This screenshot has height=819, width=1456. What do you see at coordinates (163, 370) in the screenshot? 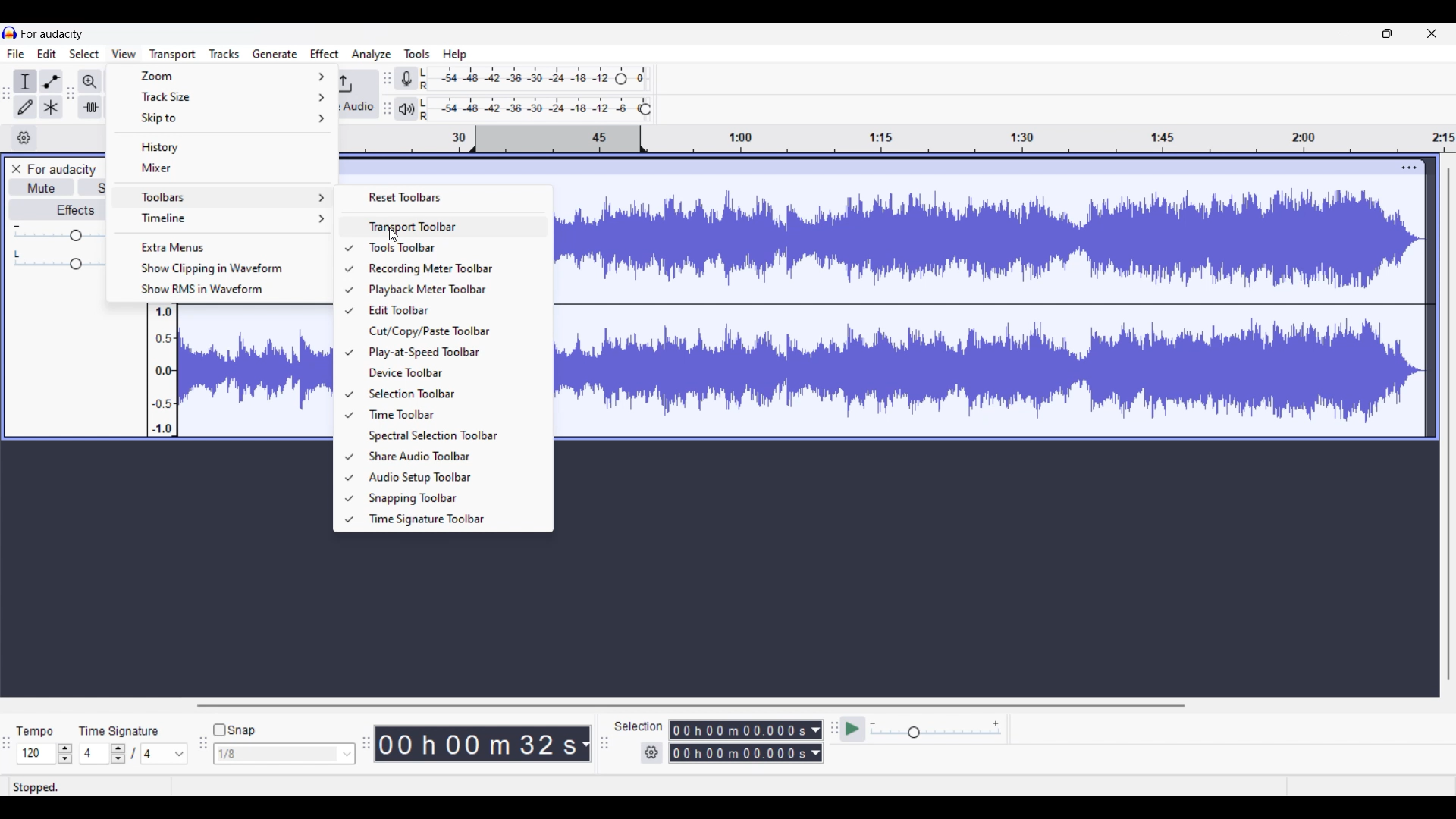
I see `Scale to see track intensity` at bounding box center [163, 370].